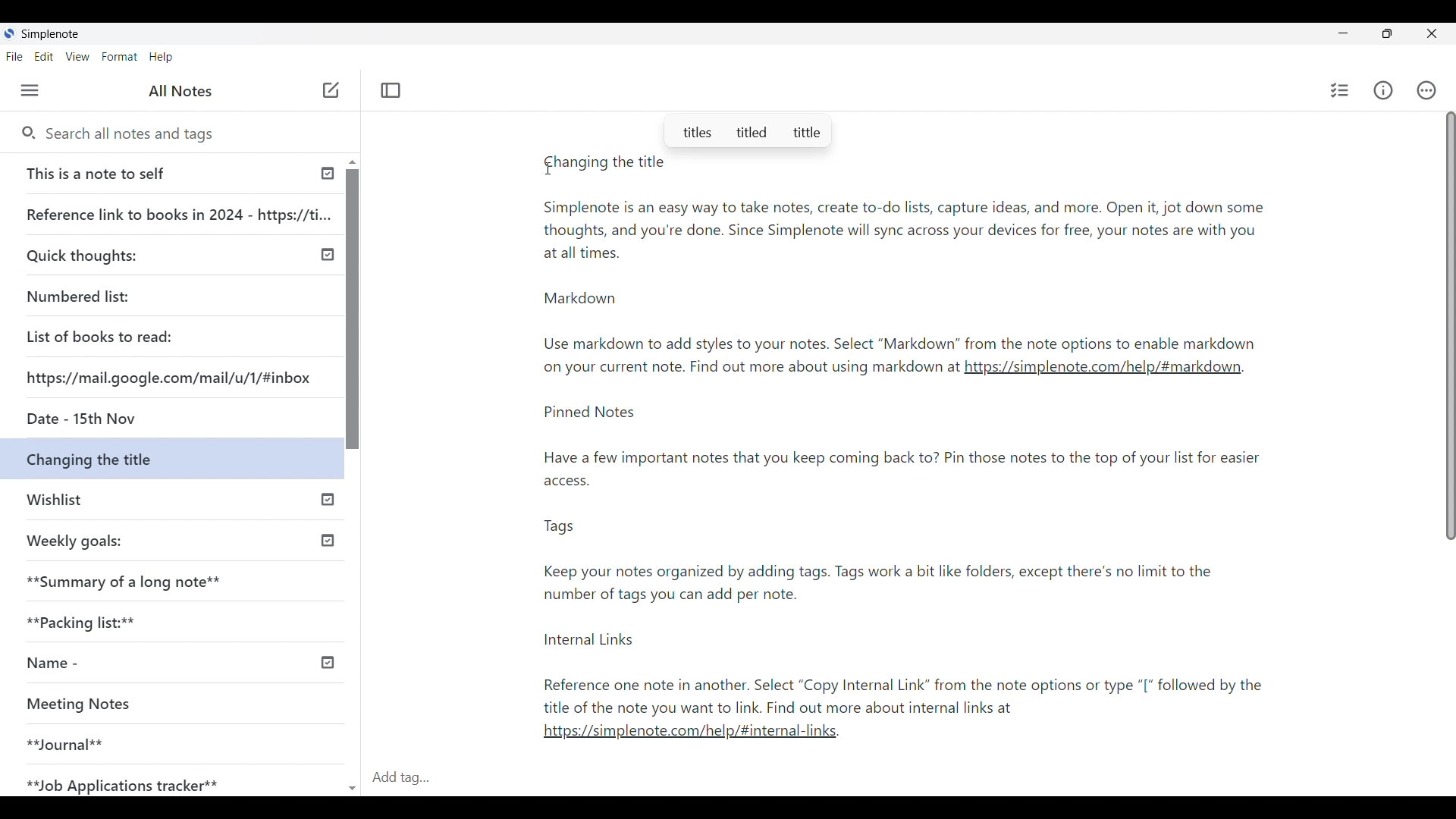 The height and width of the screenshot is (819, 1456). Describe the element at coordinates (604, 162) in the screenshot. I see `Note title changed` at that location.